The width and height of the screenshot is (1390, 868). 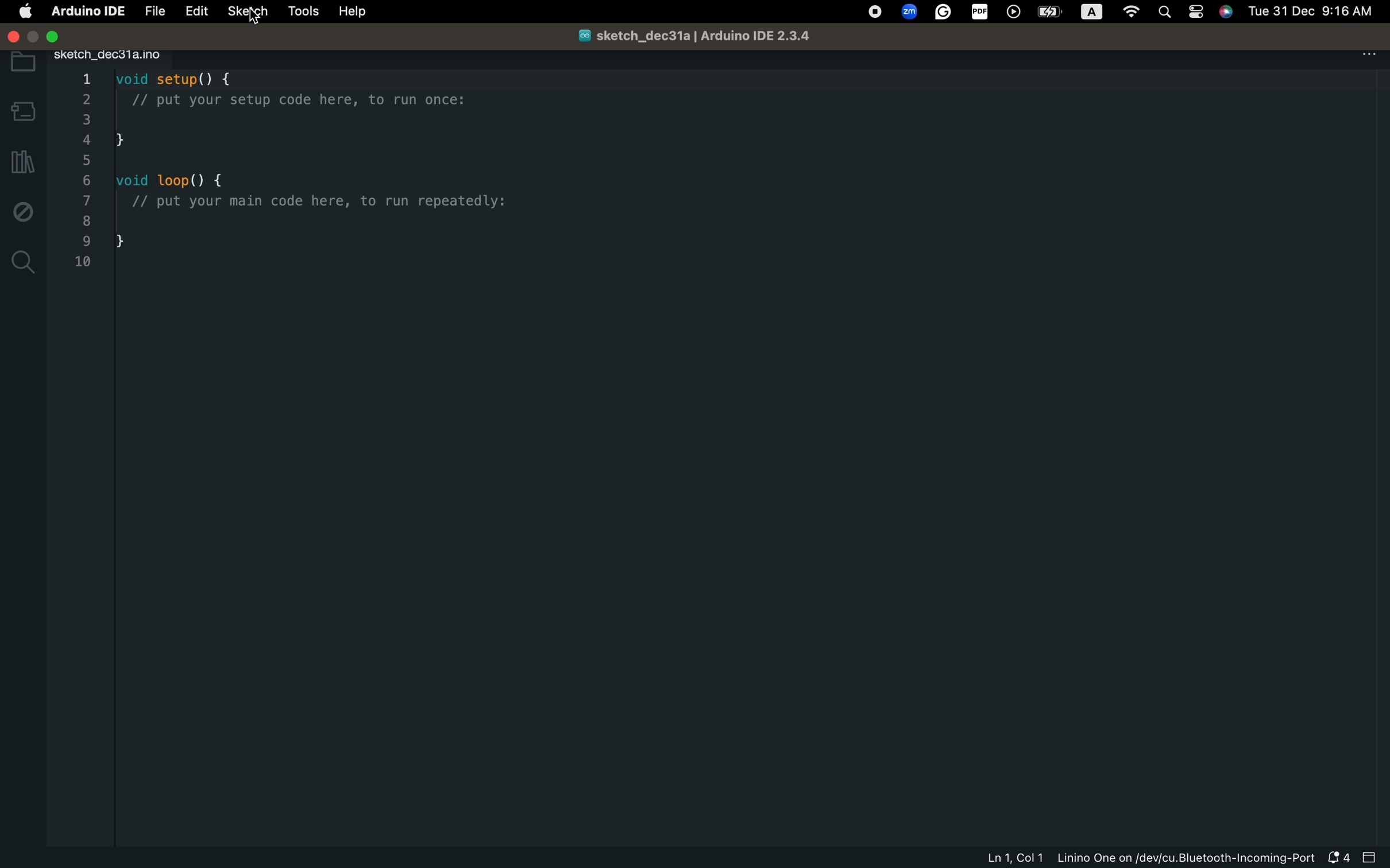 I want to click on notification, so click(x=1341, y=858).